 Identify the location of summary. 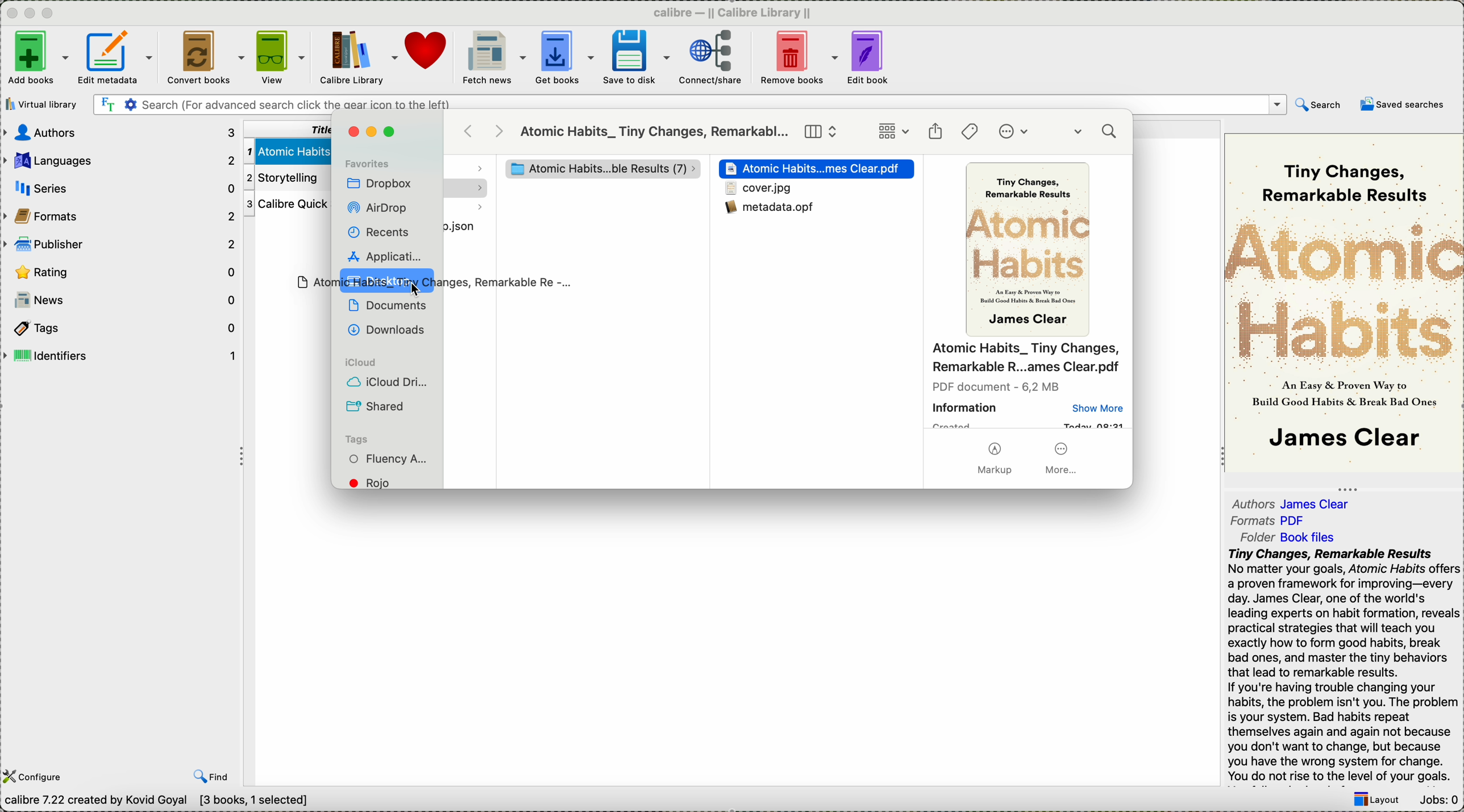
(1343, 666).